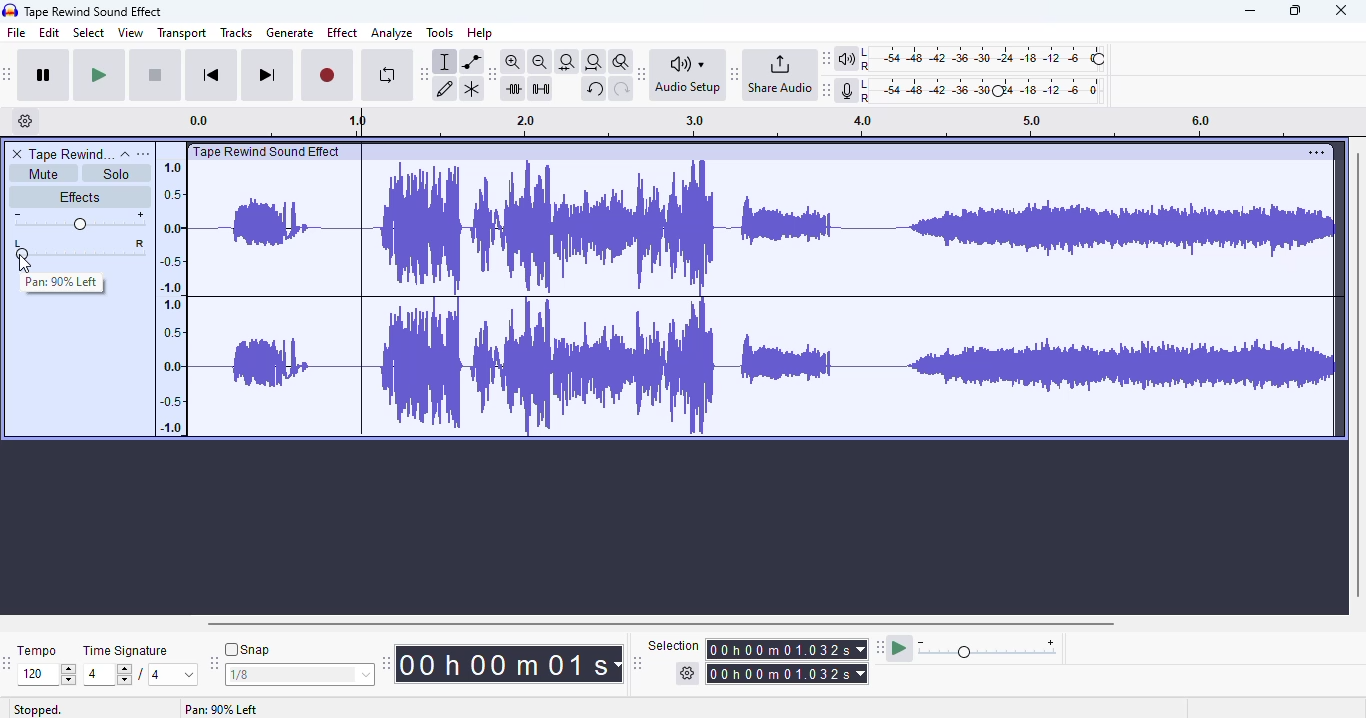  Describe the element at coordinates (44, 174) in the screenshot. I see `mute` at that location.